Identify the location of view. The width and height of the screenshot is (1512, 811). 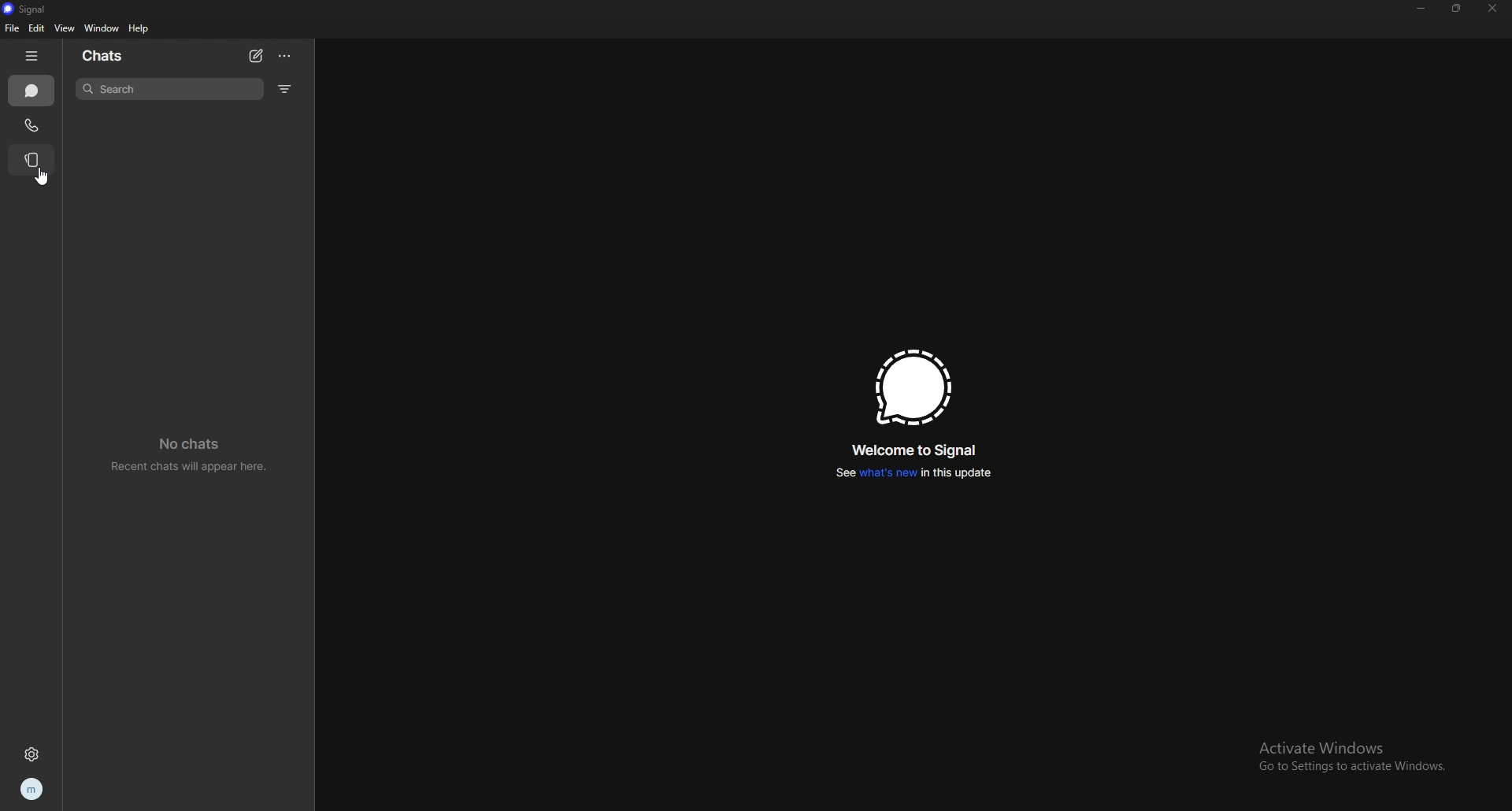
(65, 28).